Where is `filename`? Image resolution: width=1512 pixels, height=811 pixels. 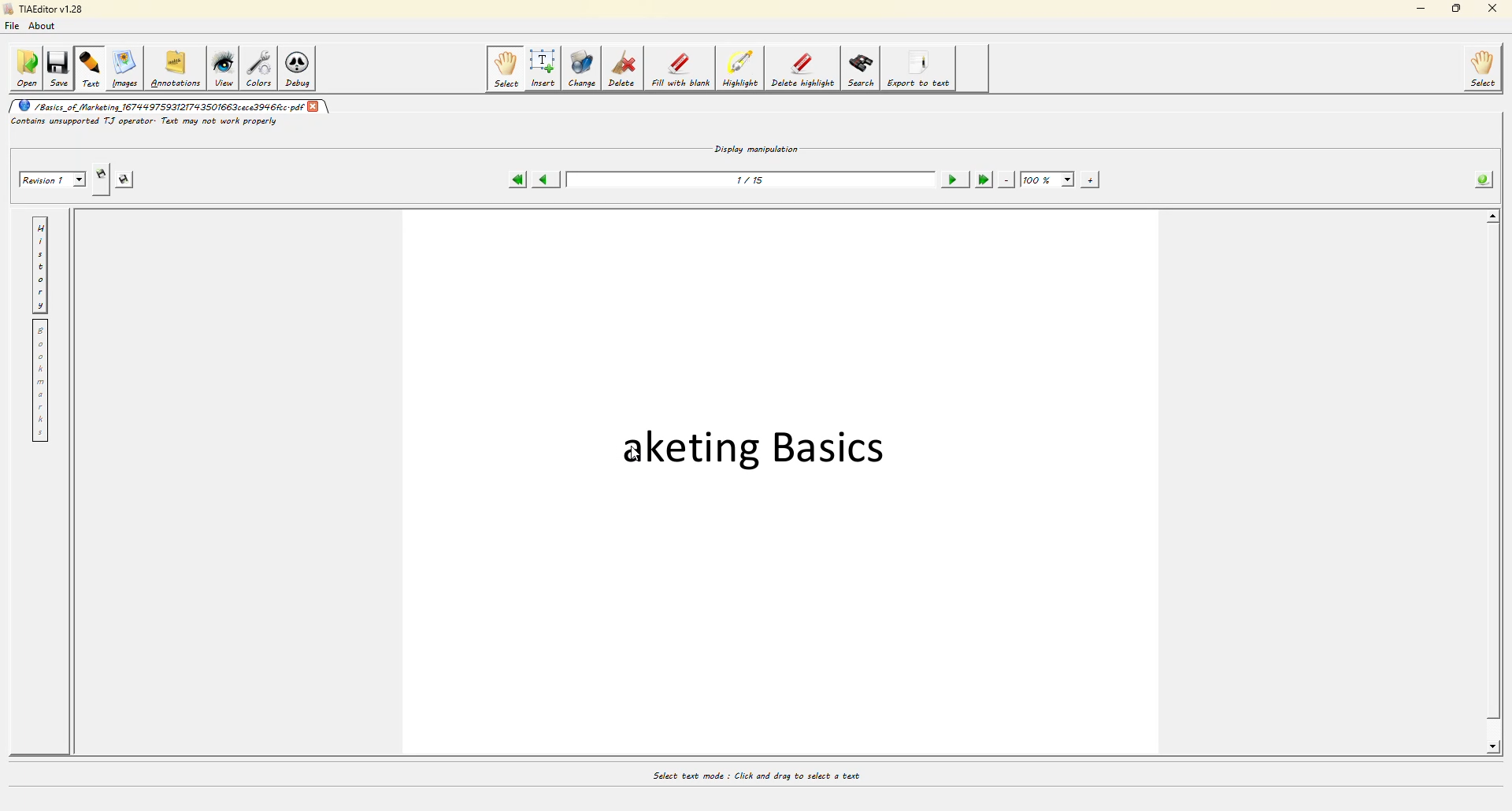
filename is located at coordinates (159, 106).